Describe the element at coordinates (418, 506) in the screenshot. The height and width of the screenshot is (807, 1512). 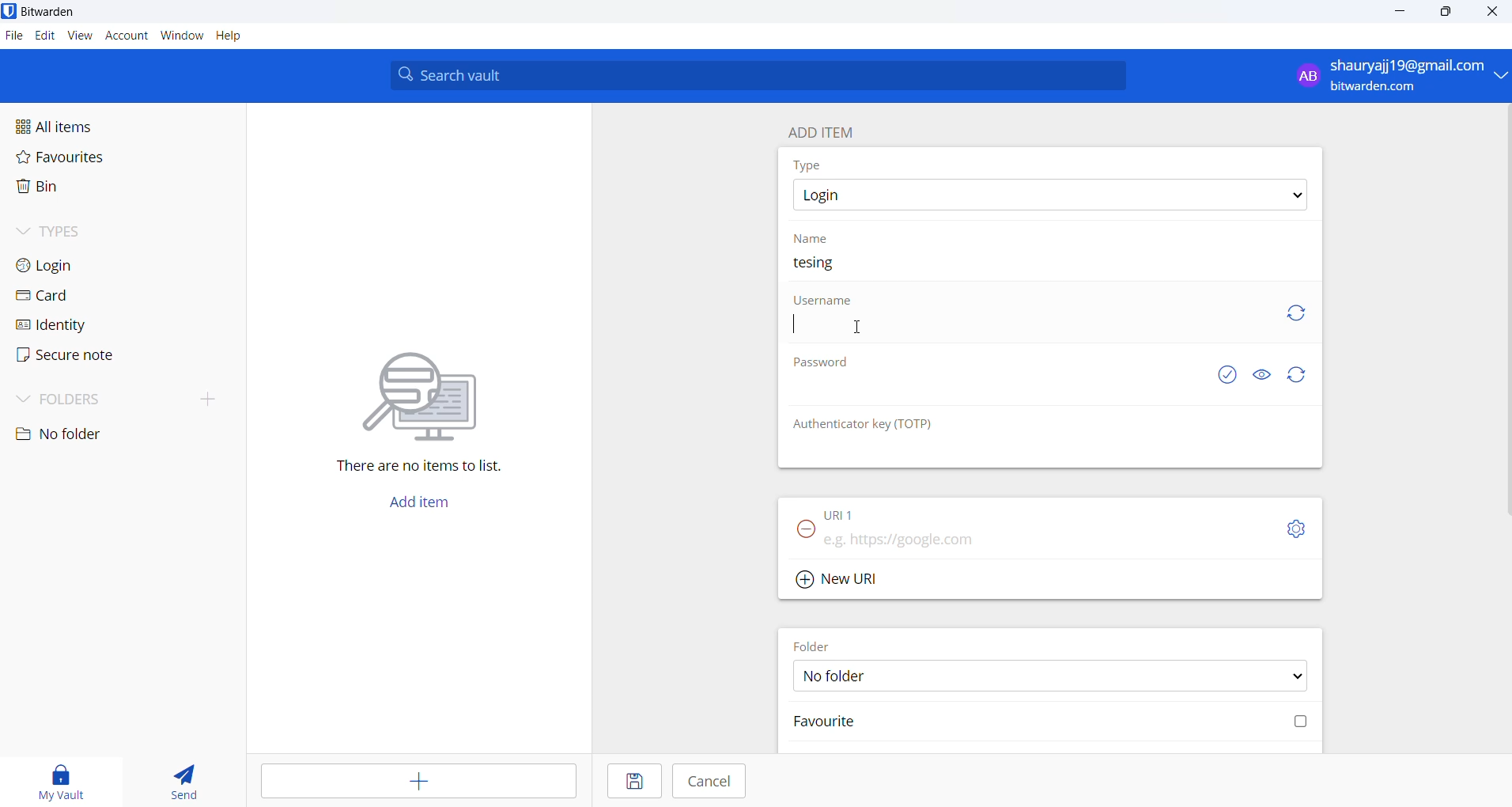
I see `Add item` at that location.